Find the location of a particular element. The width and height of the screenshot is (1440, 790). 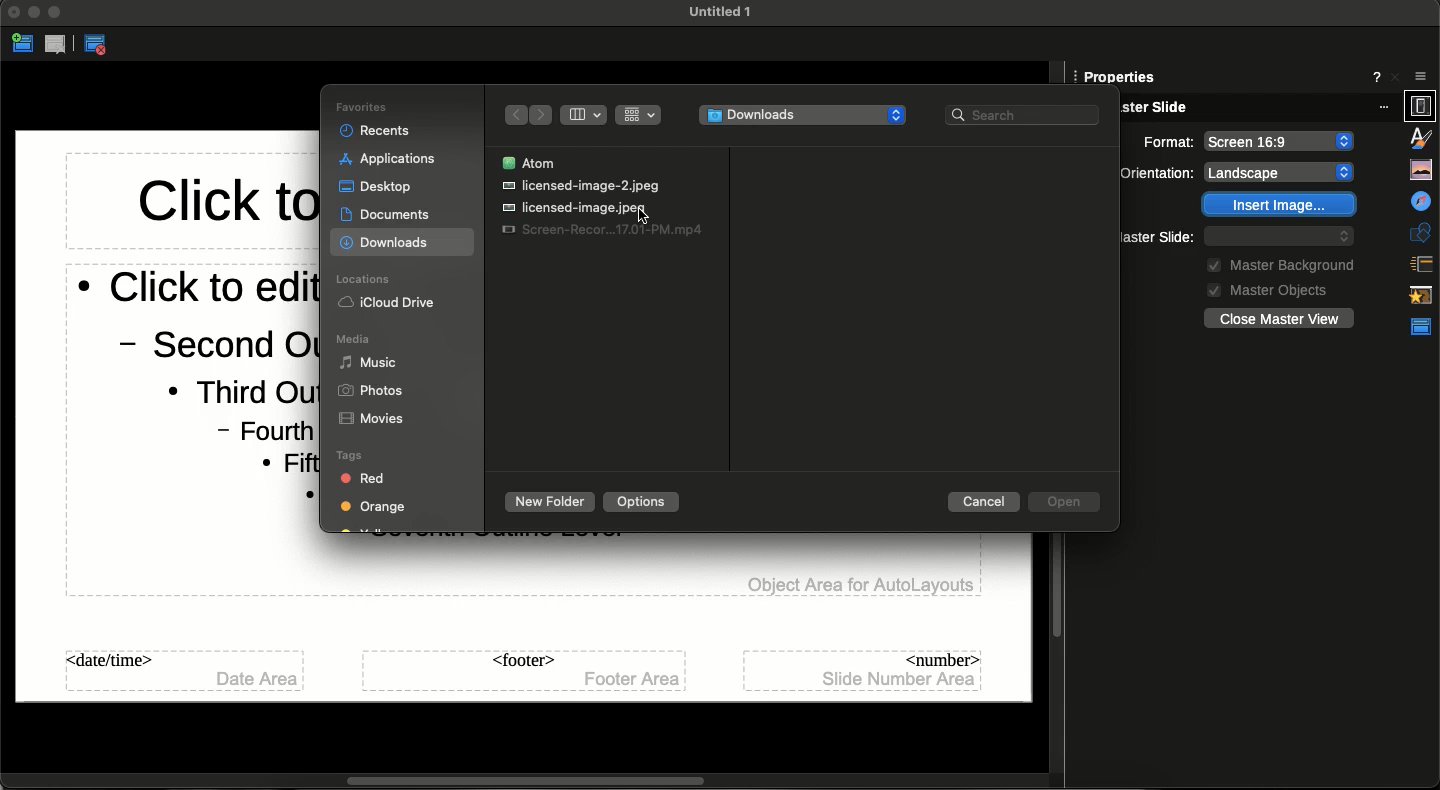

Cancel is located at coordinates (983, 503).